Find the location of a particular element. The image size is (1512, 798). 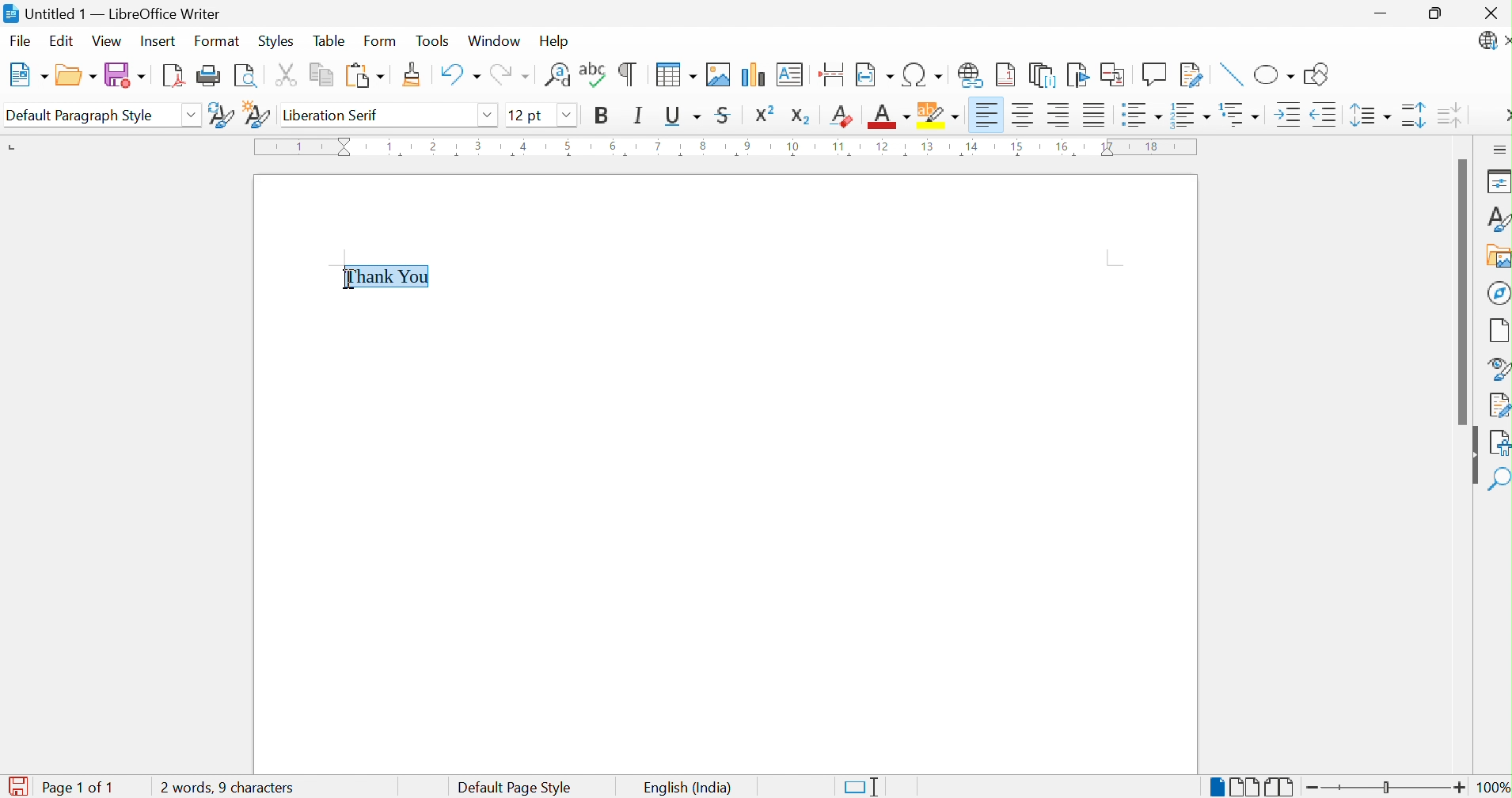

Cut is located at coordinates (284, 74).